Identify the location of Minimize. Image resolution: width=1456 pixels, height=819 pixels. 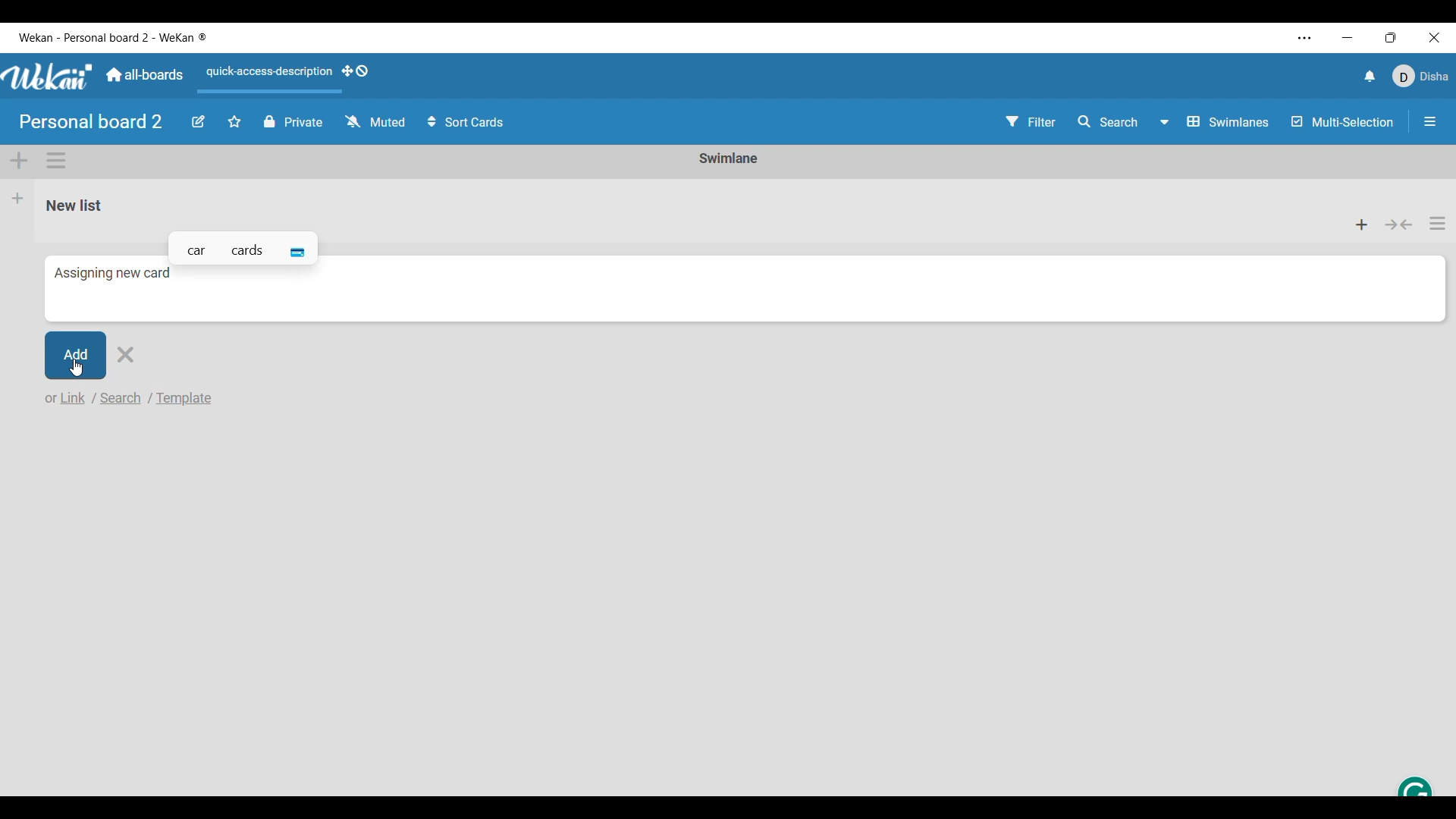
(1348, 38).